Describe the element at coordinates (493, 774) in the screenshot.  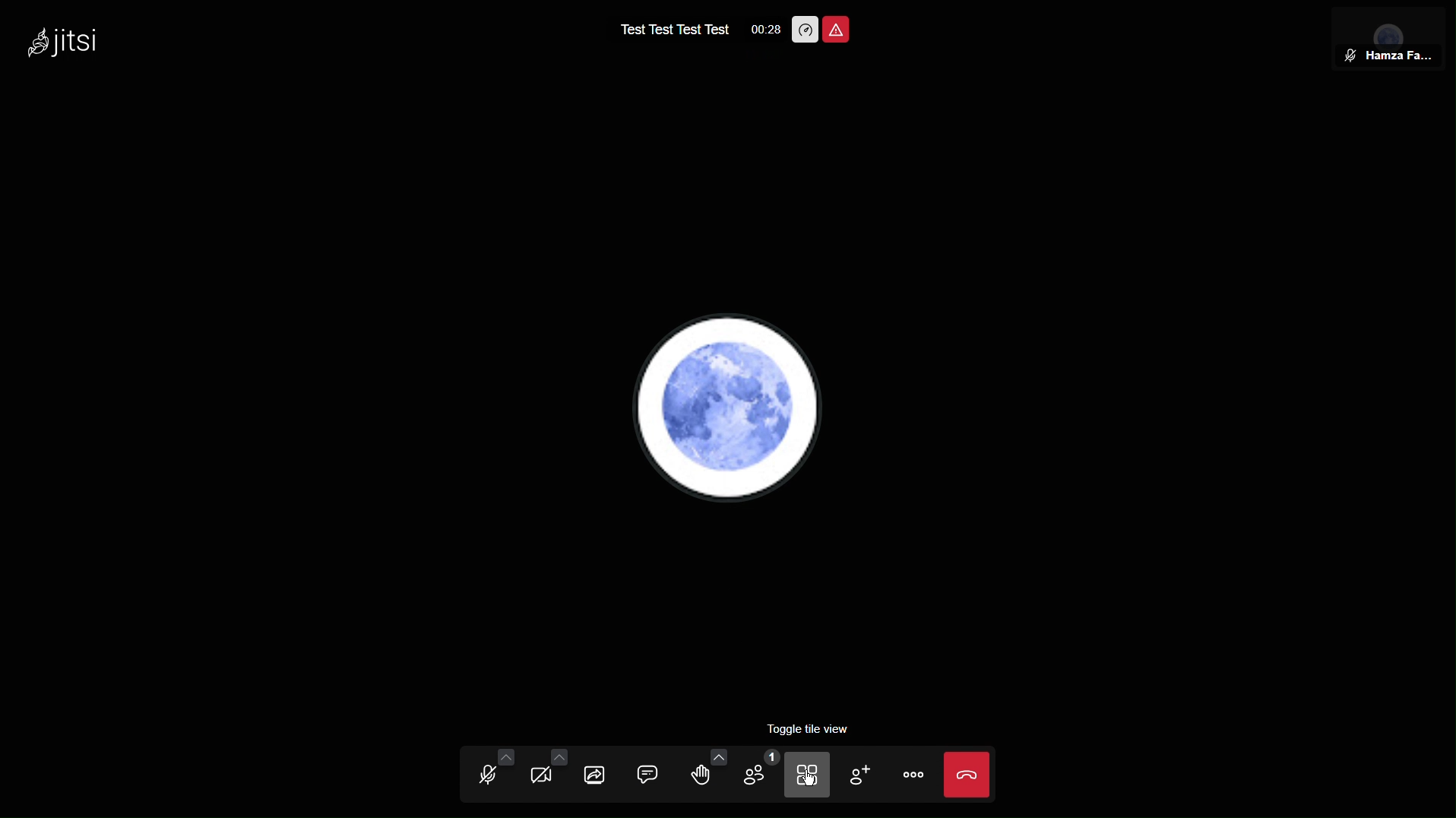
I see `Audio` at that location.